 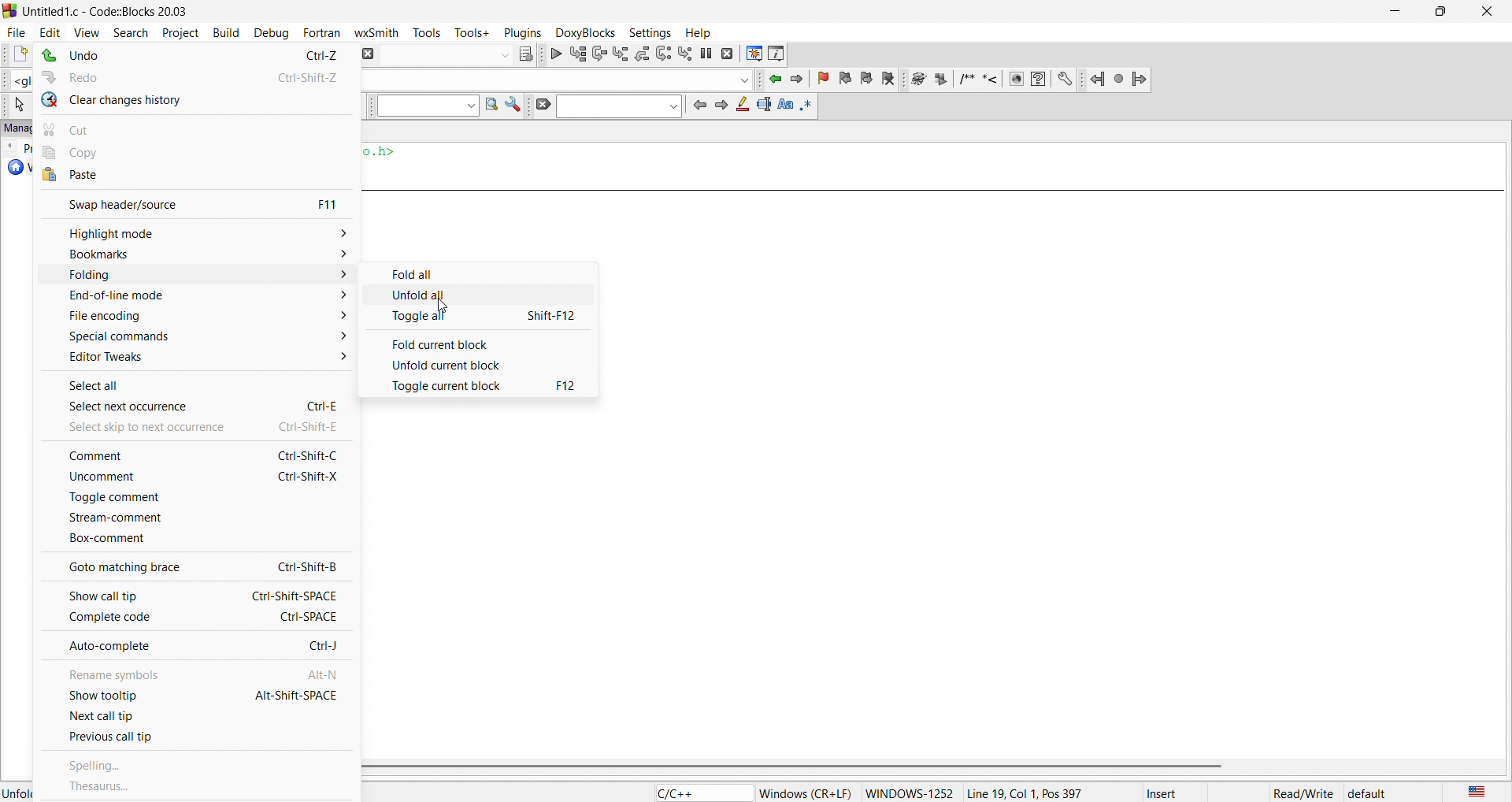 I want to click on rename symbols, so click(x=192, y=670).